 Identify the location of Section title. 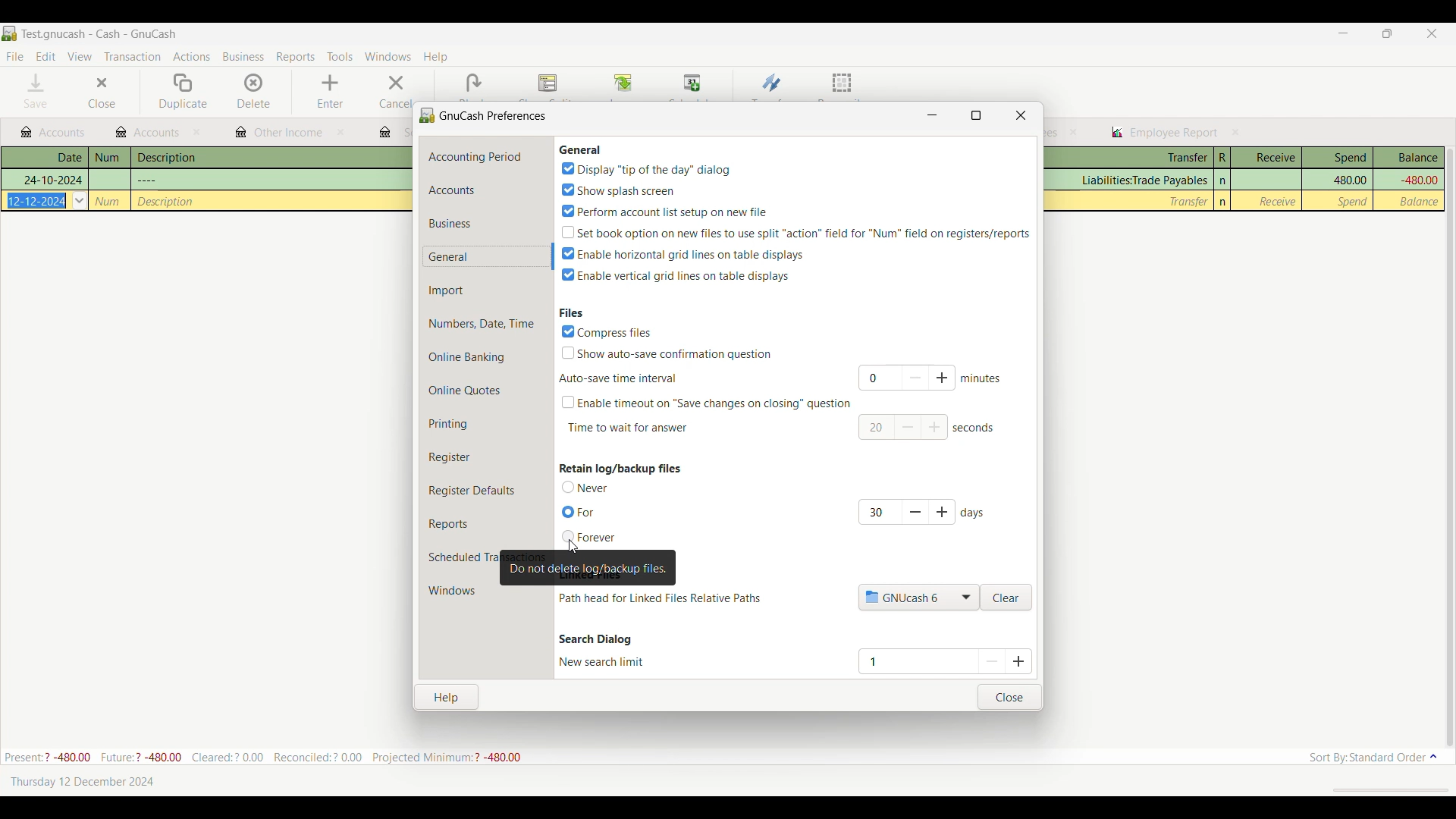
(580, 149).